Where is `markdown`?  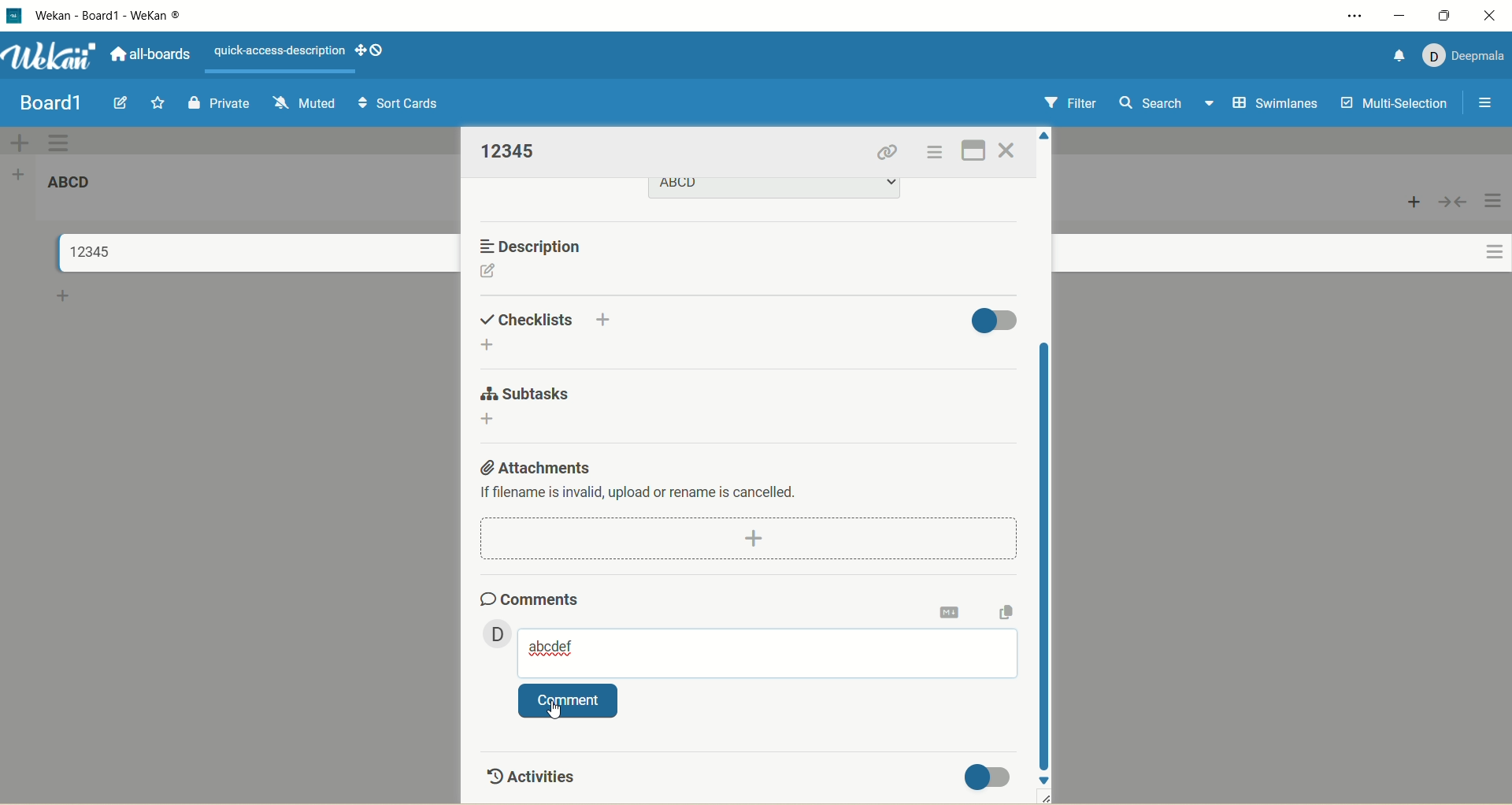 markdown is located at coordinates (951, 610).